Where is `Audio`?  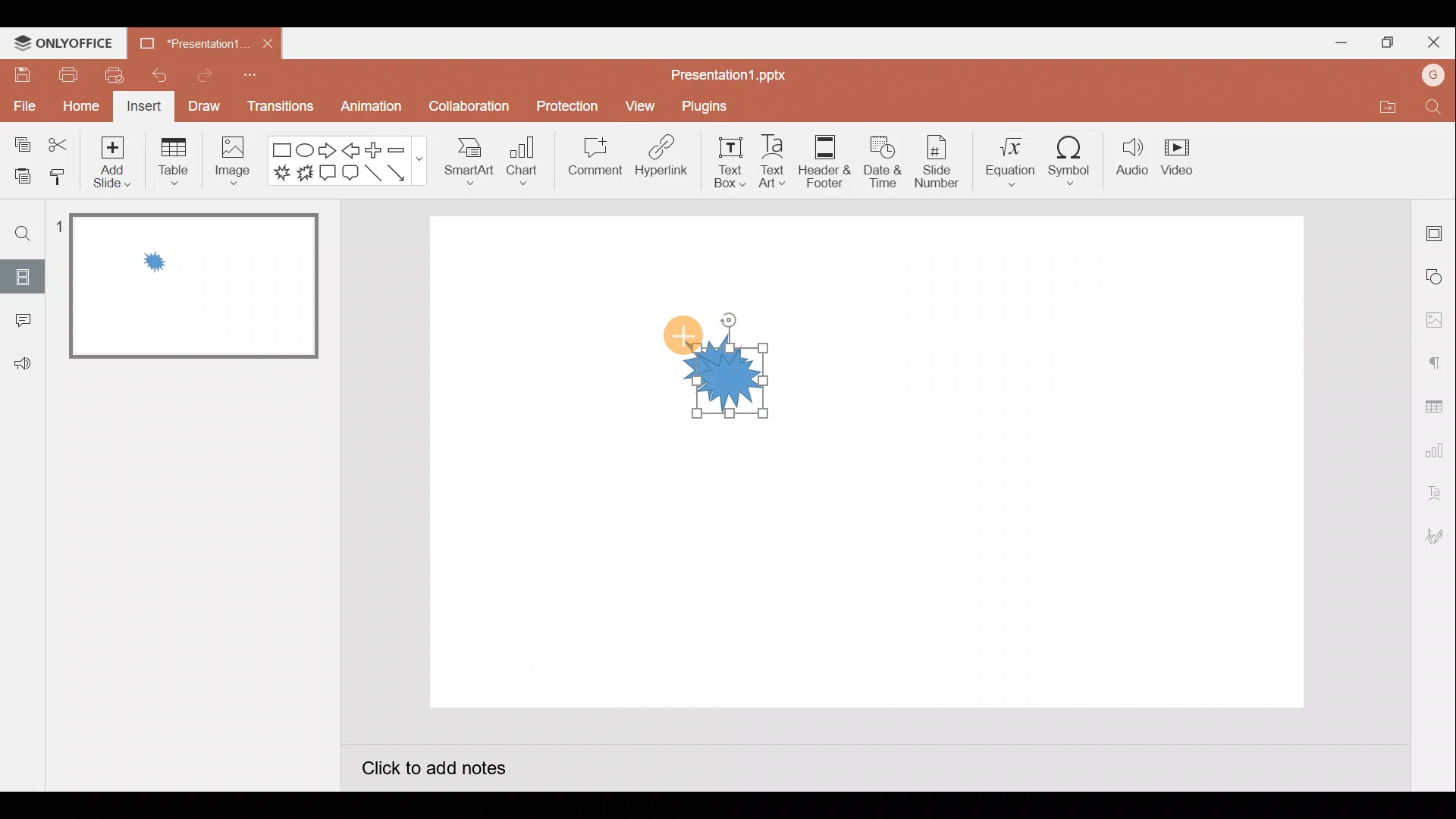 Audio is located at coordinates (1129, 162).